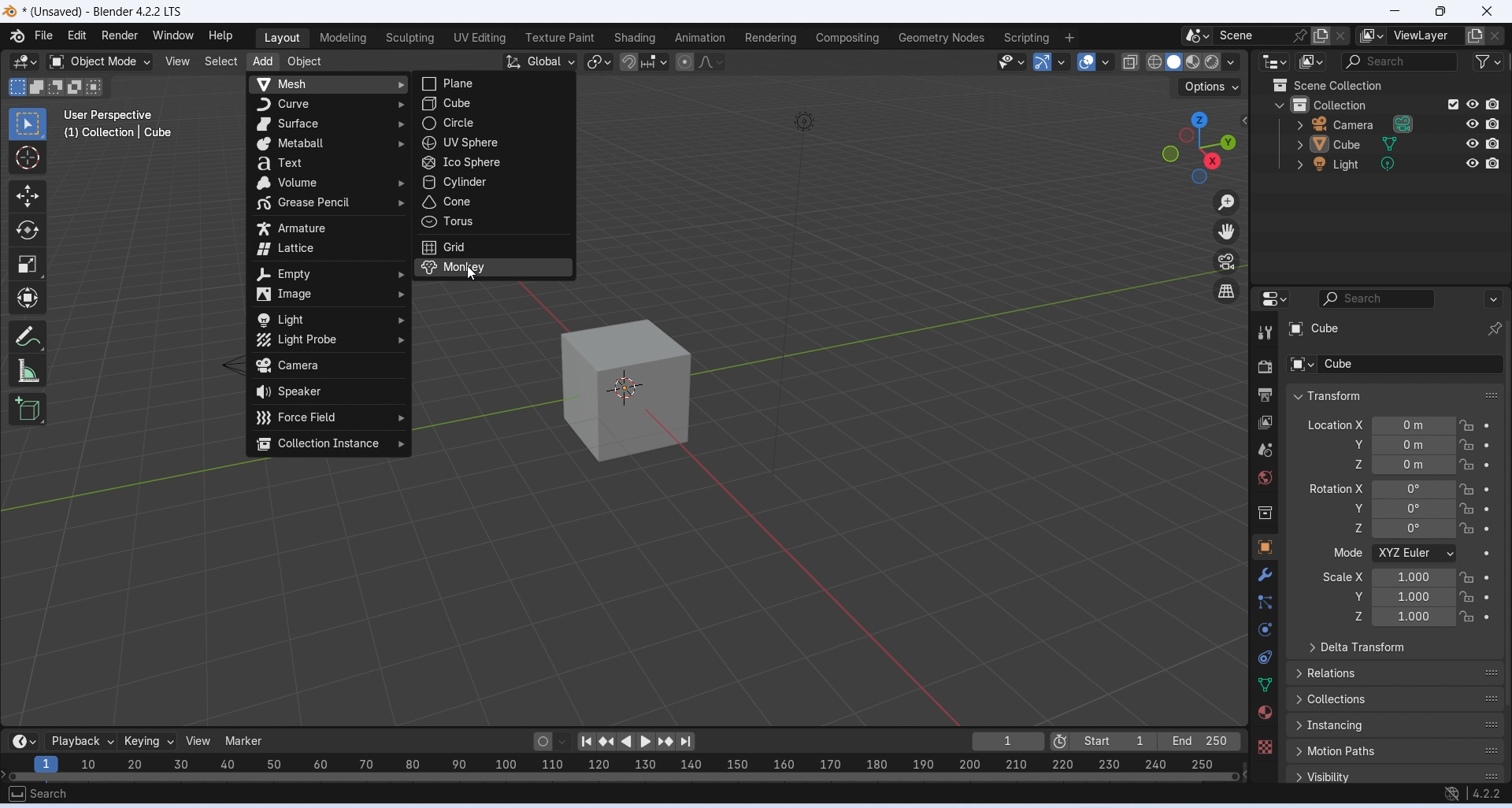 The width and height of the screenshot is (1512, 808). Describe the element at coordinates (1193, 61) in the screenshot. I see `material preview viewport shading` at that location.